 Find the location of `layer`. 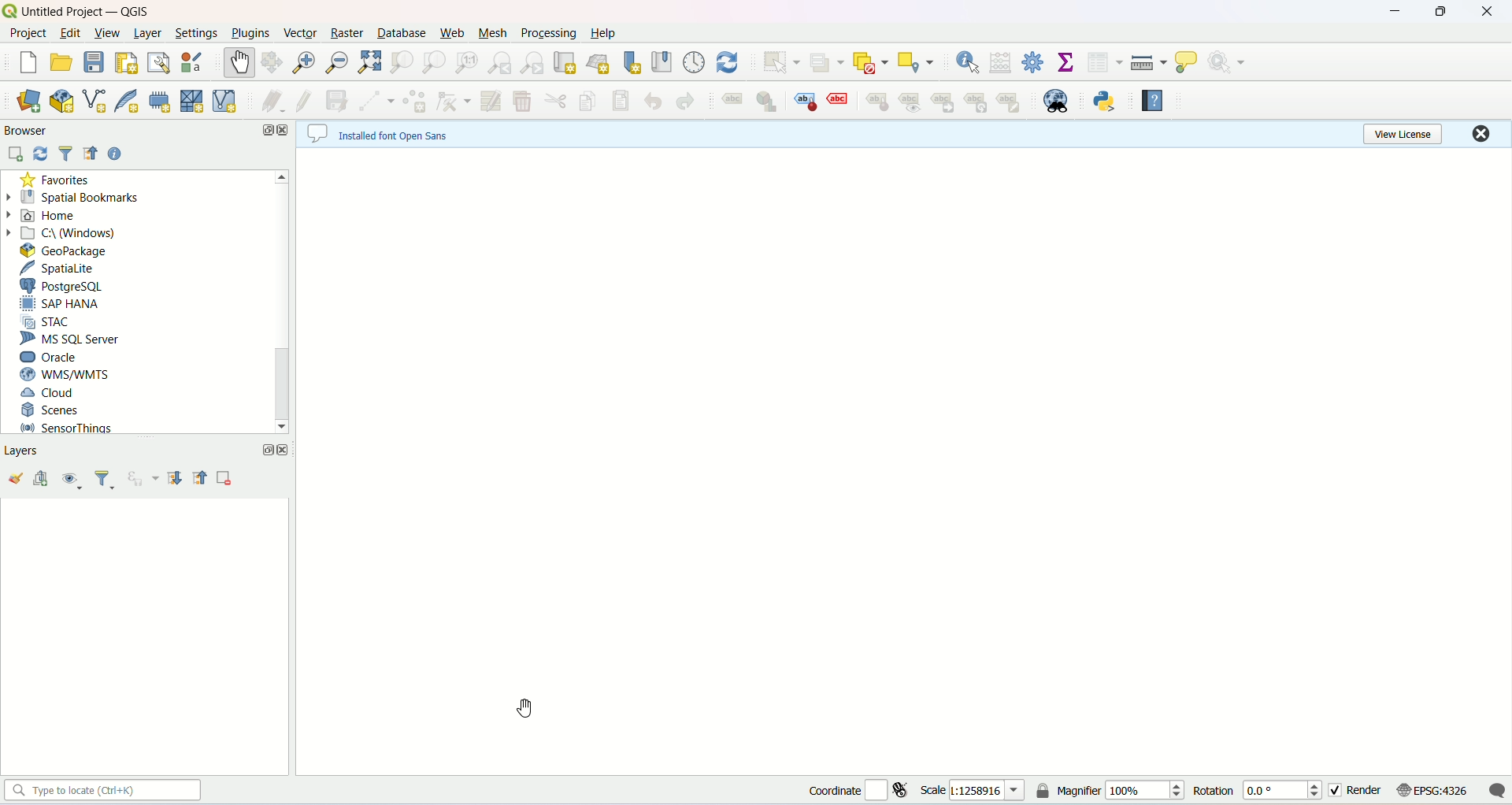

layer is located at coordinates (146, 34).